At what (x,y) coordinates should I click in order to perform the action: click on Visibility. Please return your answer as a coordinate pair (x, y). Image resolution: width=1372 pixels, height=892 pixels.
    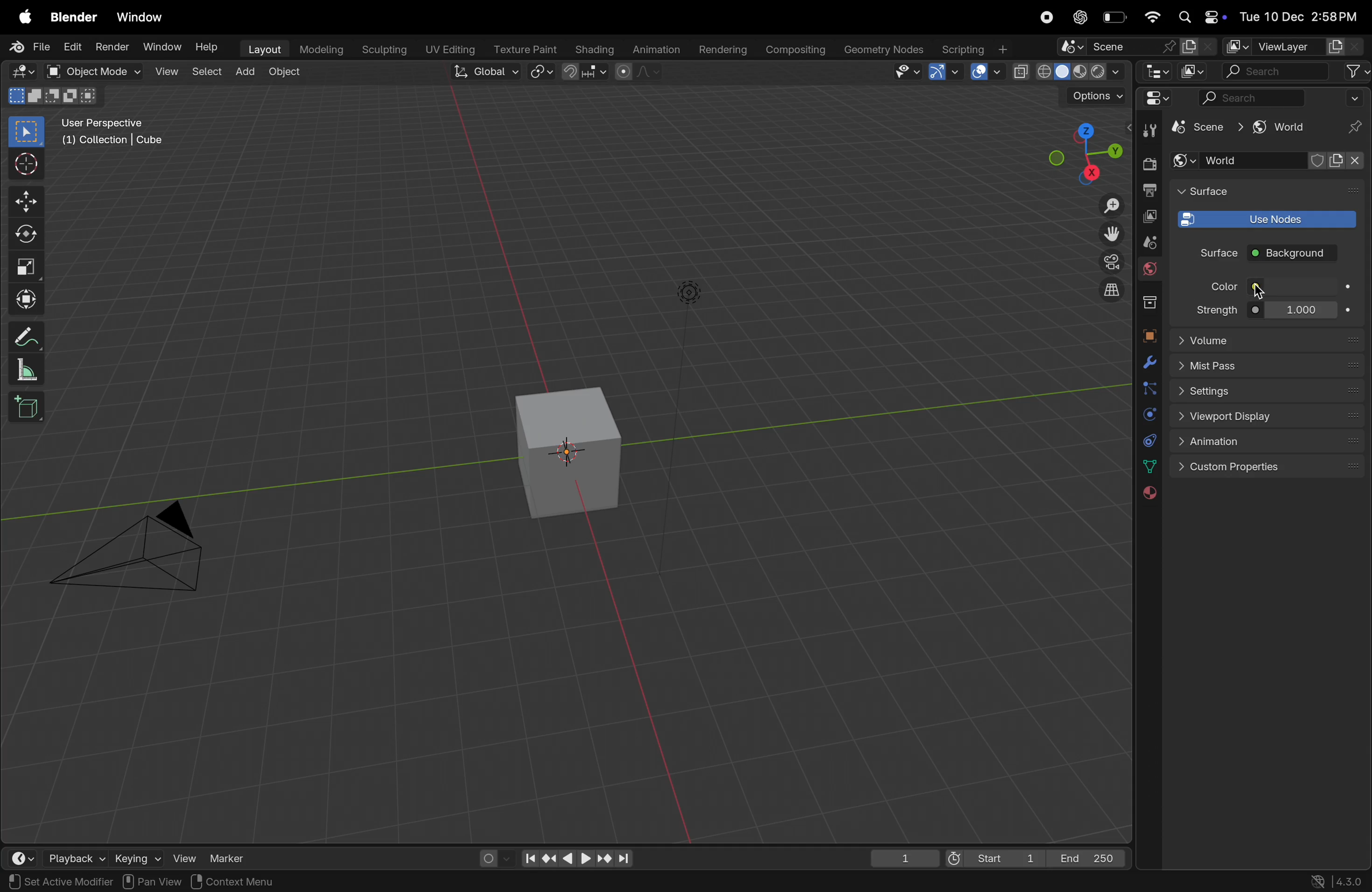
    Looking at the image, I should click on (909, 73).